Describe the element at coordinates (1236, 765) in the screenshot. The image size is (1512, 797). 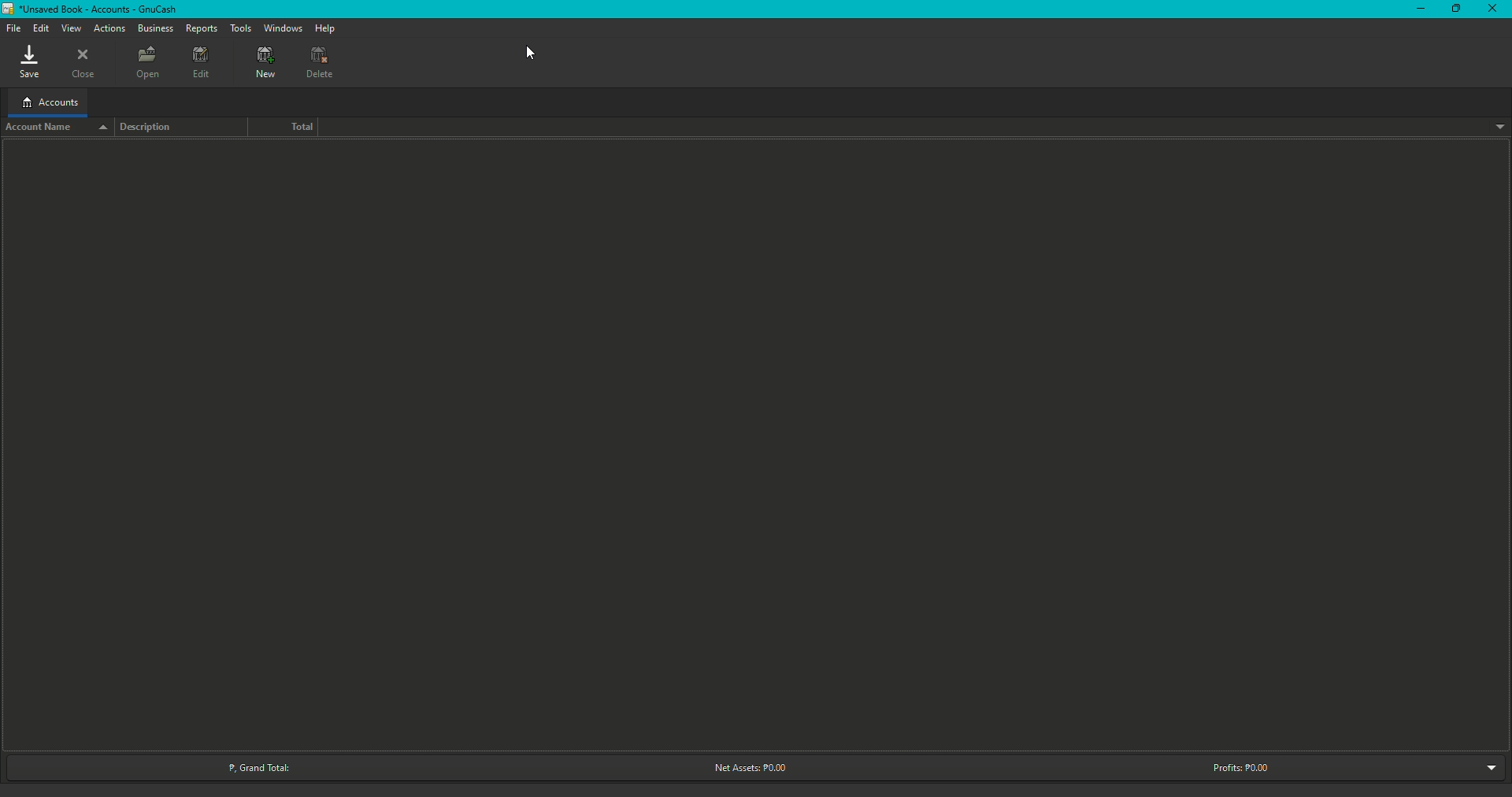
I see `Profits` at that location.